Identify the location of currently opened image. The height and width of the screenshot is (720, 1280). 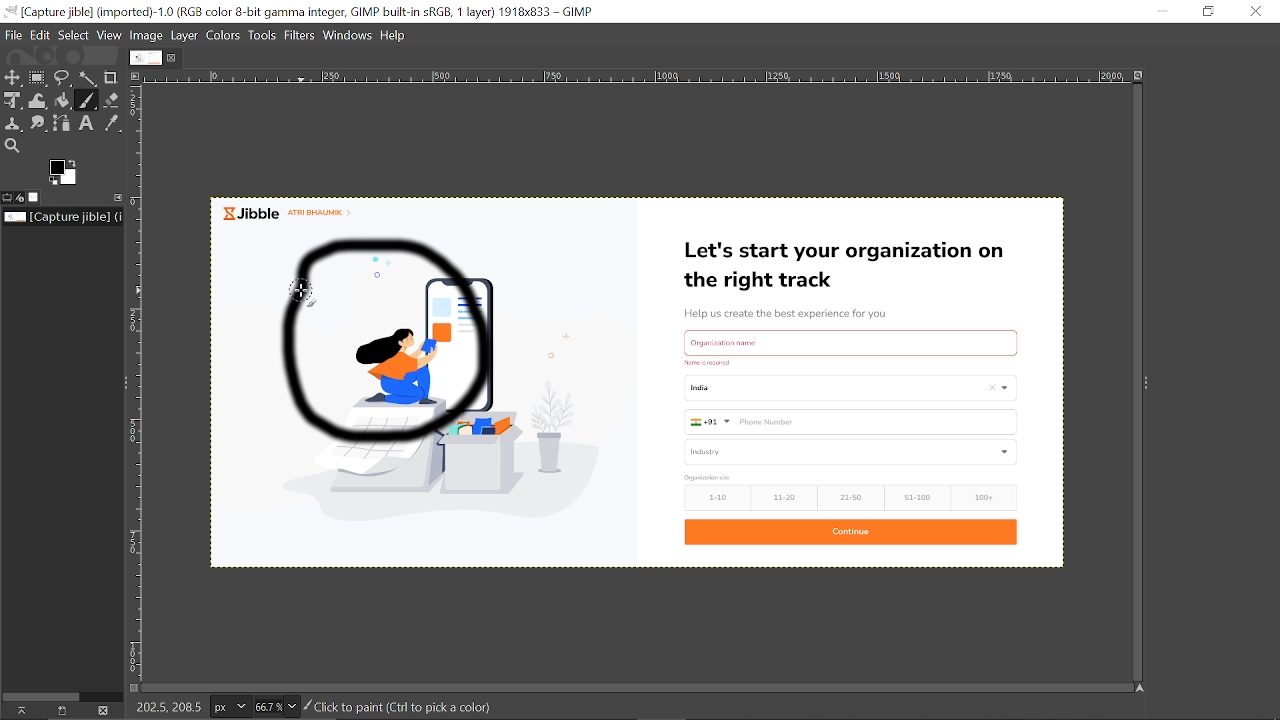
(359, 217).